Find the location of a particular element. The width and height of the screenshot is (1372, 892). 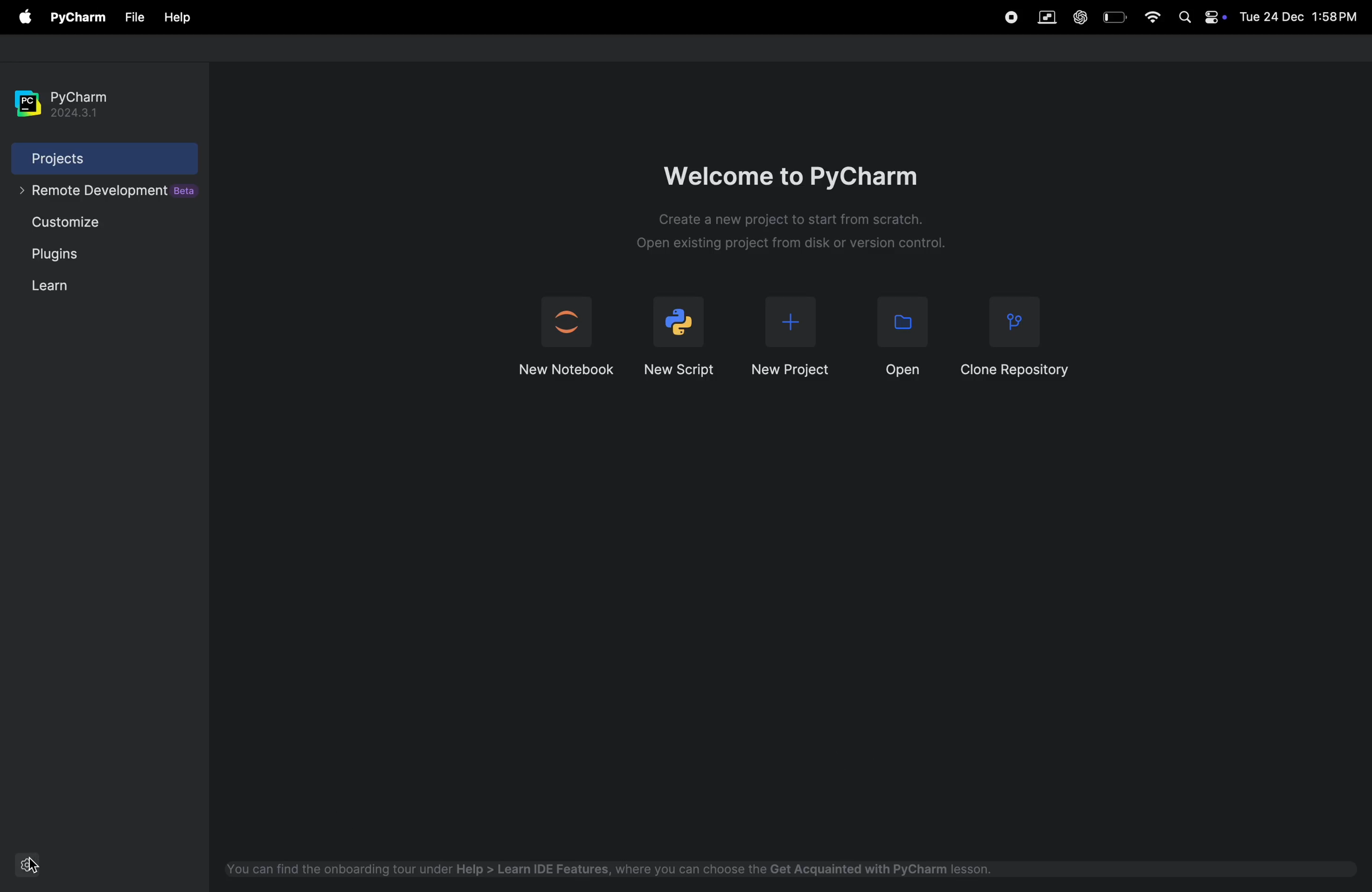

file is located at coordinates (177, 18).